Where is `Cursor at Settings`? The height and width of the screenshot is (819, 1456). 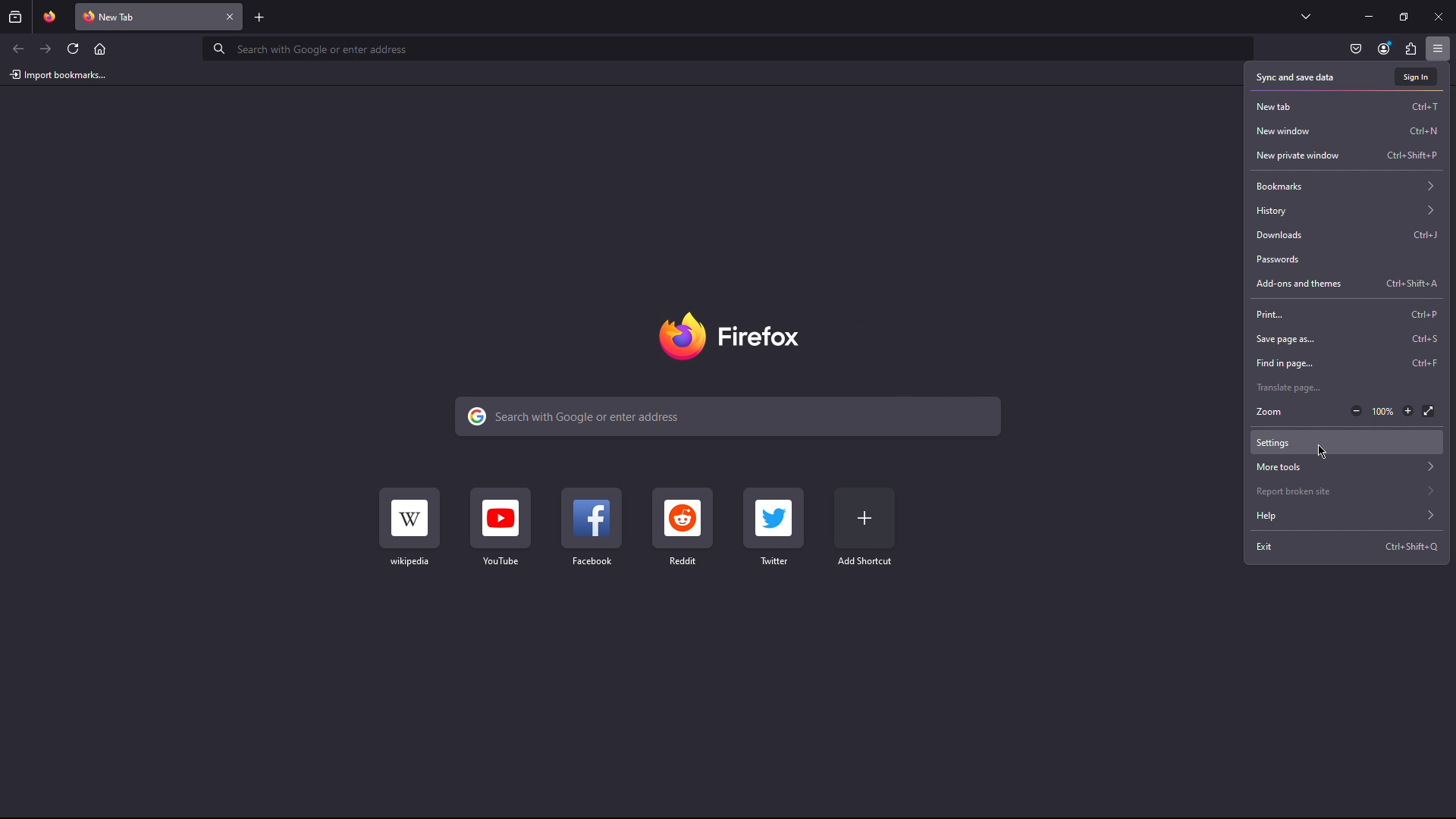 Cursor at Settings is located at coordinates (1347, 442).